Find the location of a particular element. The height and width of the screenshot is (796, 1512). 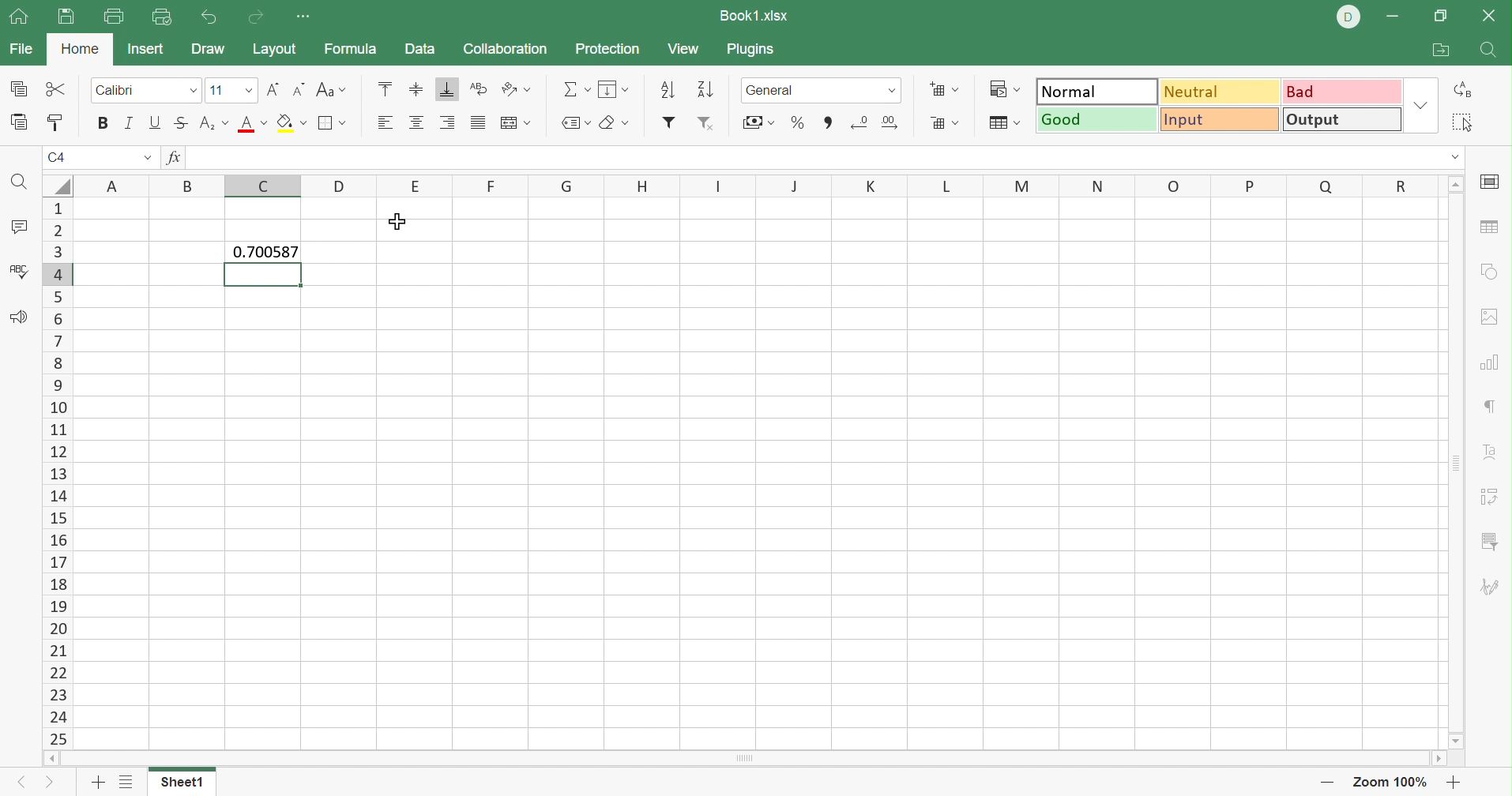

C4 is located at coordinates (61, 157).